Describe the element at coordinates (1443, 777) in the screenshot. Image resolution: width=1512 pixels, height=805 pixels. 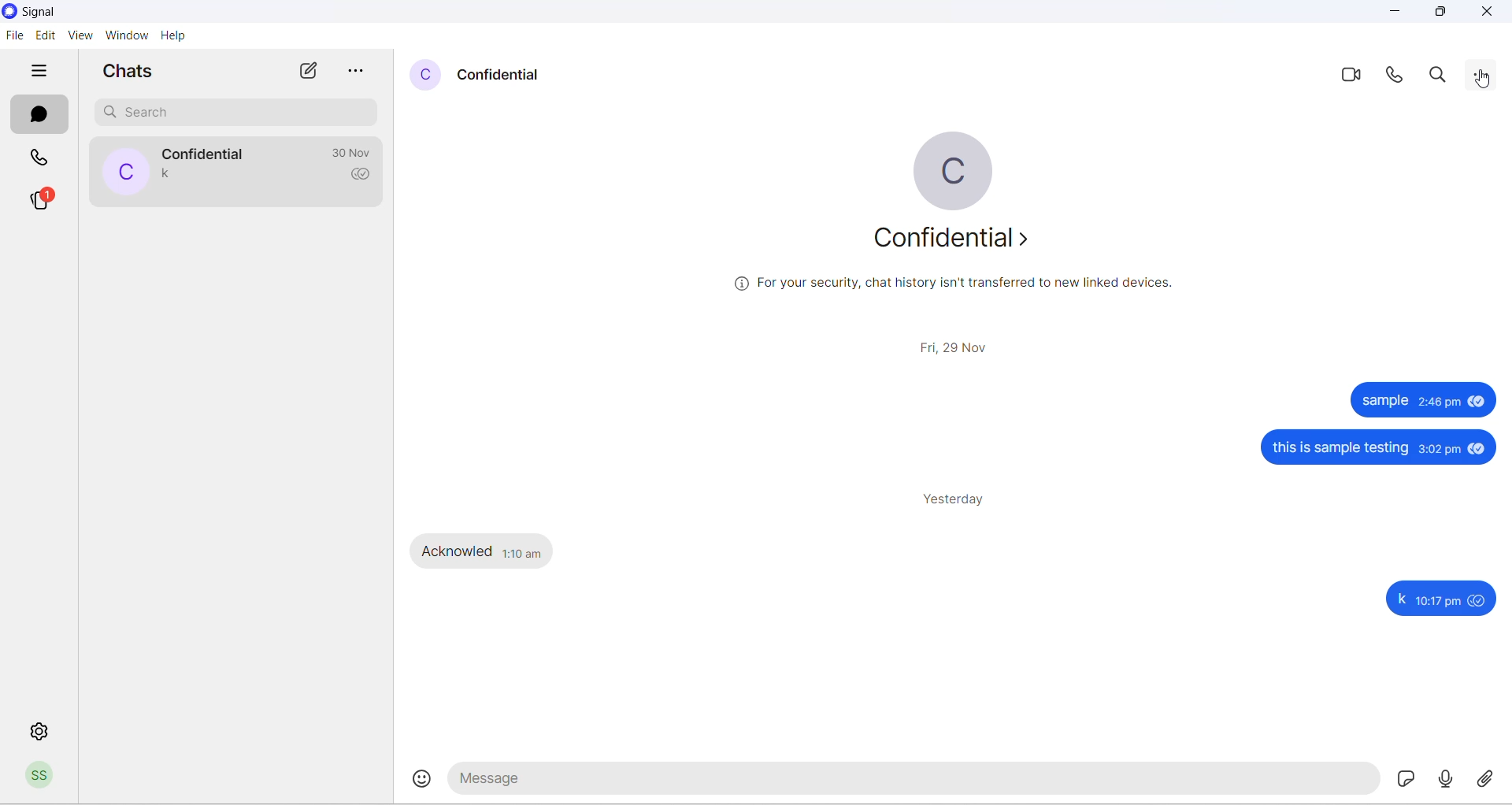
I see `voice note` at that location.